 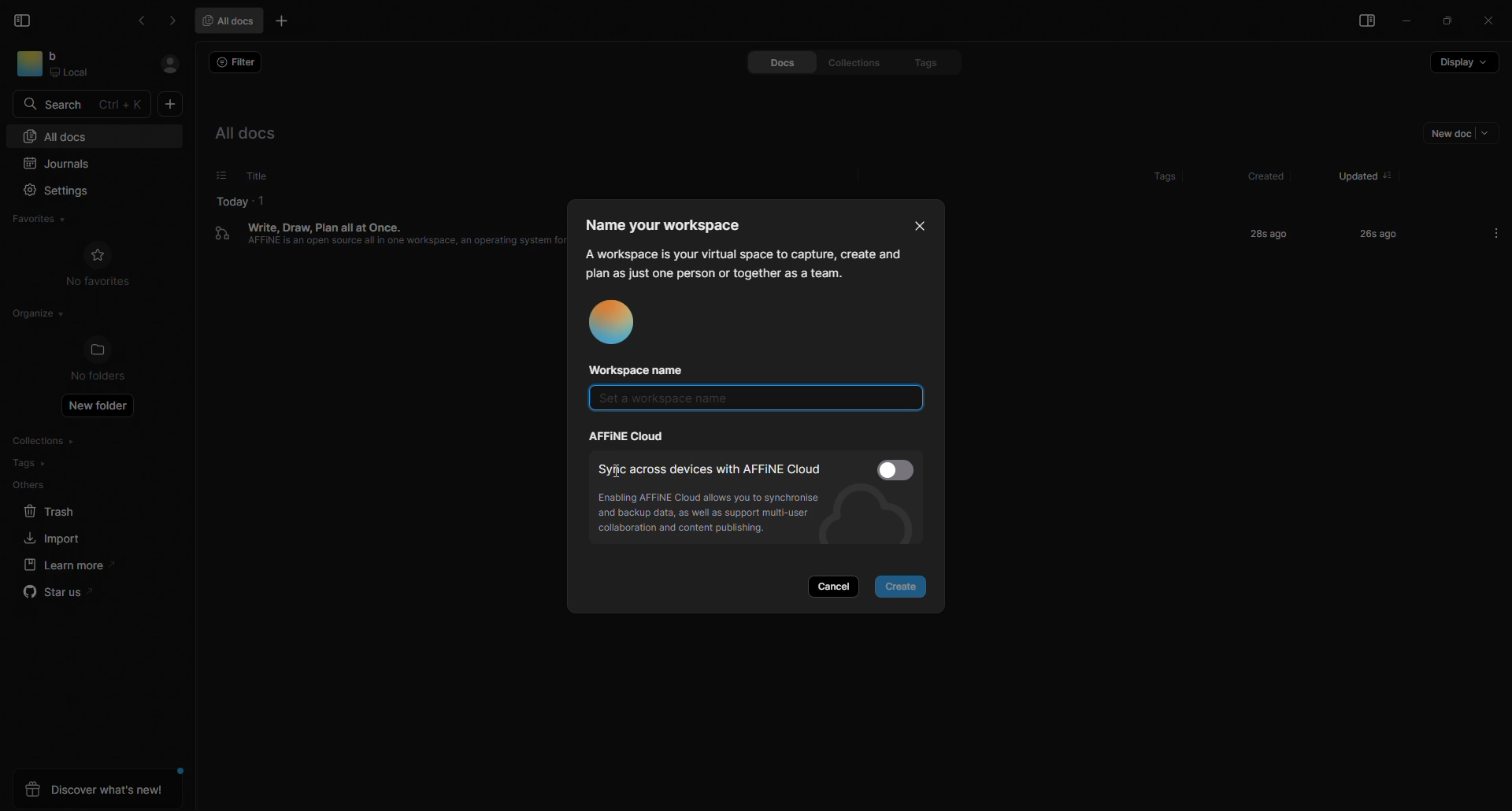 What do you see at coordinates (254, 175) in the screenshot?
I see `title` at bounding box center [254, 175].